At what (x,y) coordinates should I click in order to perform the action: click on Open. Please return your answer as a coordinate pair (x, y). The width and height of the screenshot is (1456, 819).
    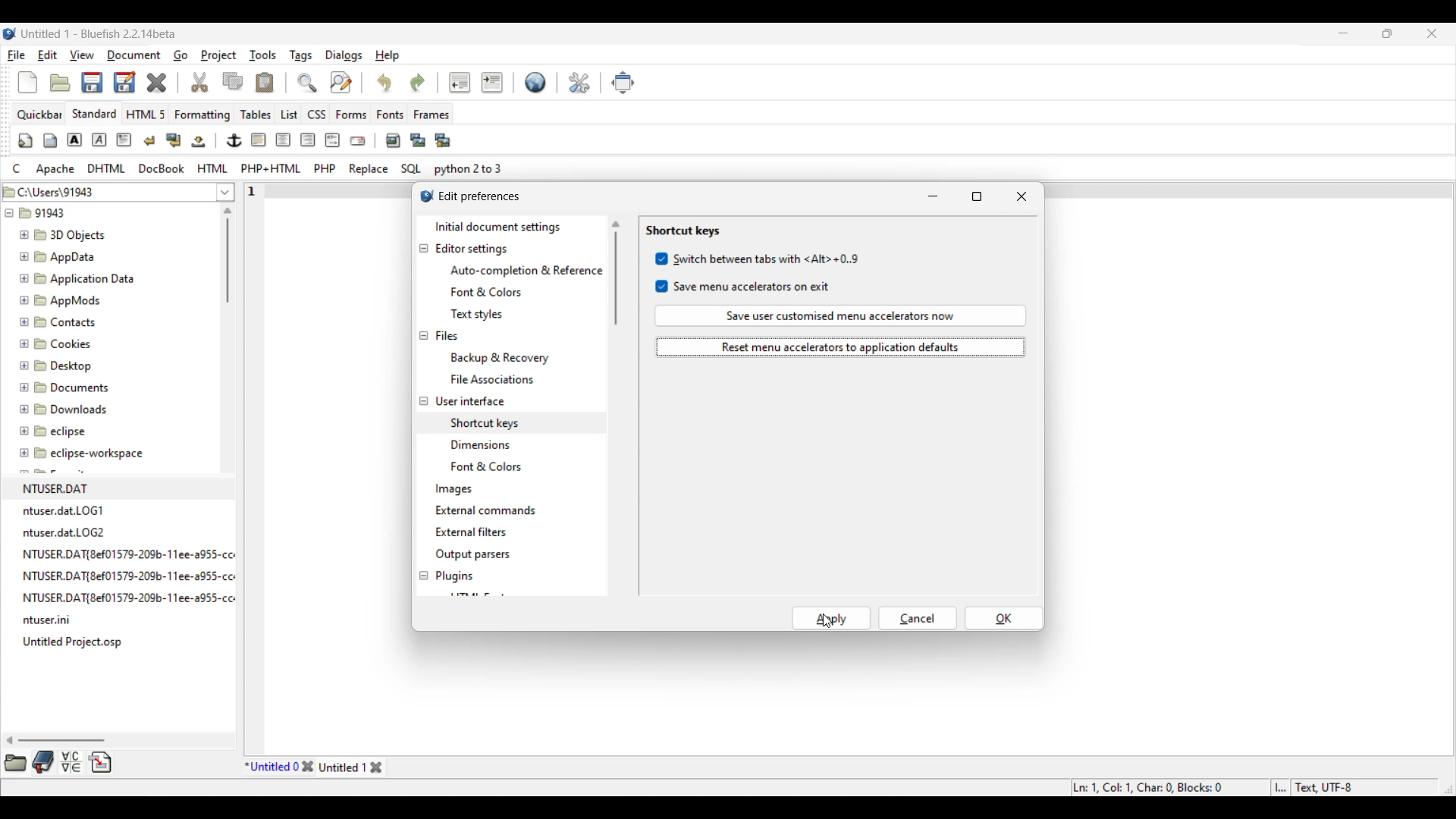
    Looking at the image, I should click on (60, 83).